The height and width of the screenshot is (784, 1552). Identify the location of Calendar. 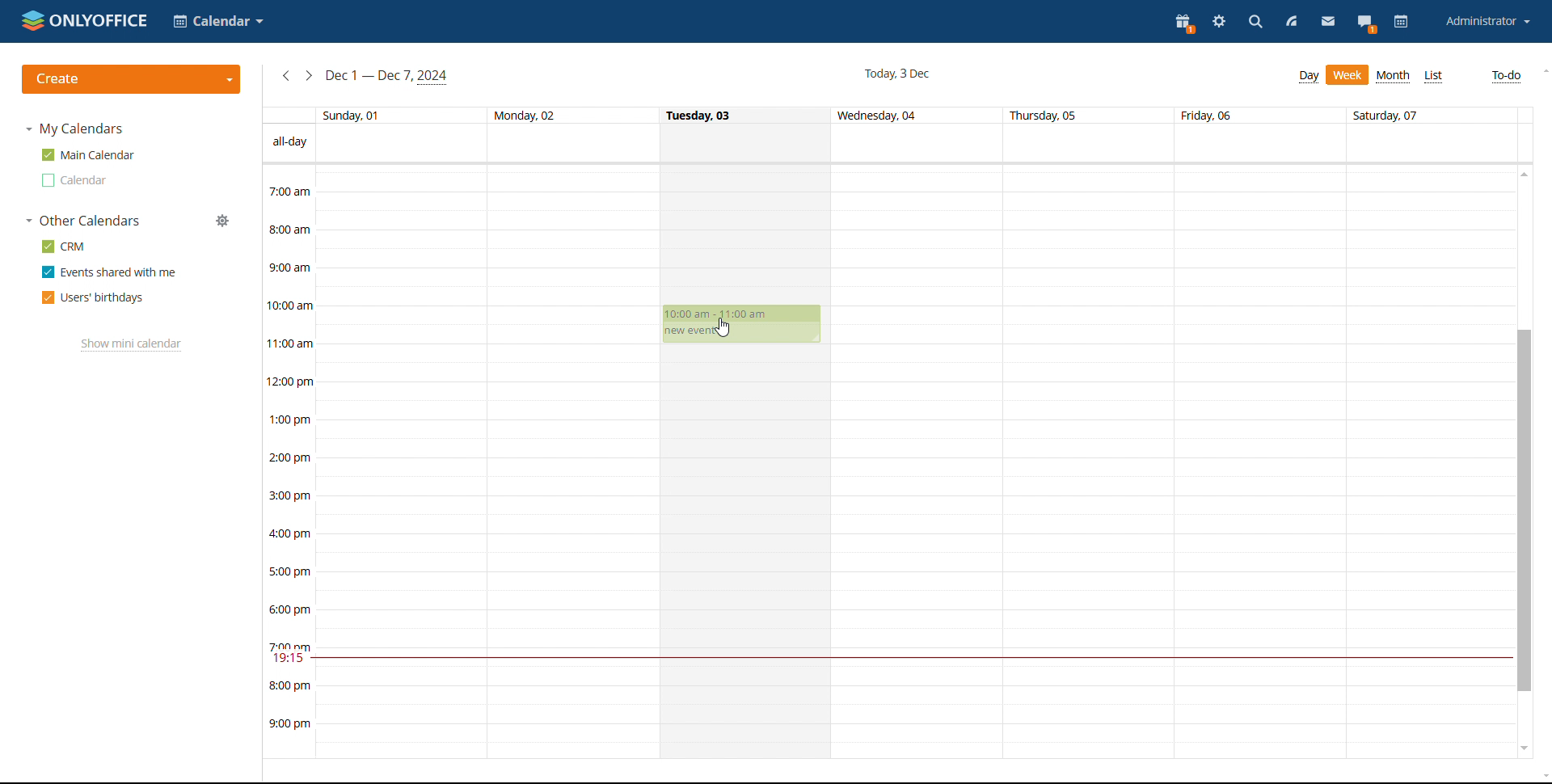
(219, 21).